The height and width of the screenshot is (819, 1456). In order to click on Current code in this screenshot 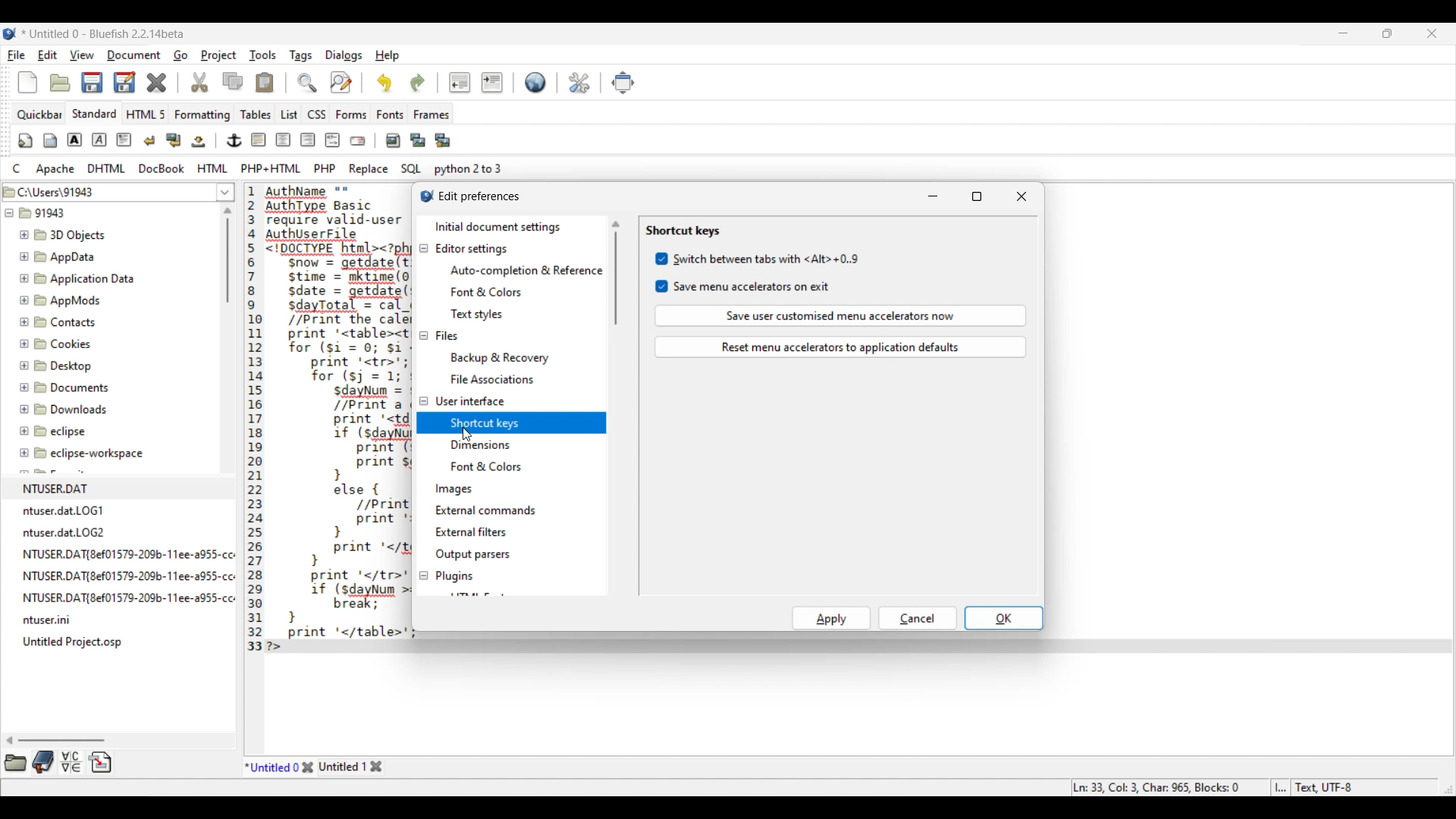, I will do `click(325, 420)`.